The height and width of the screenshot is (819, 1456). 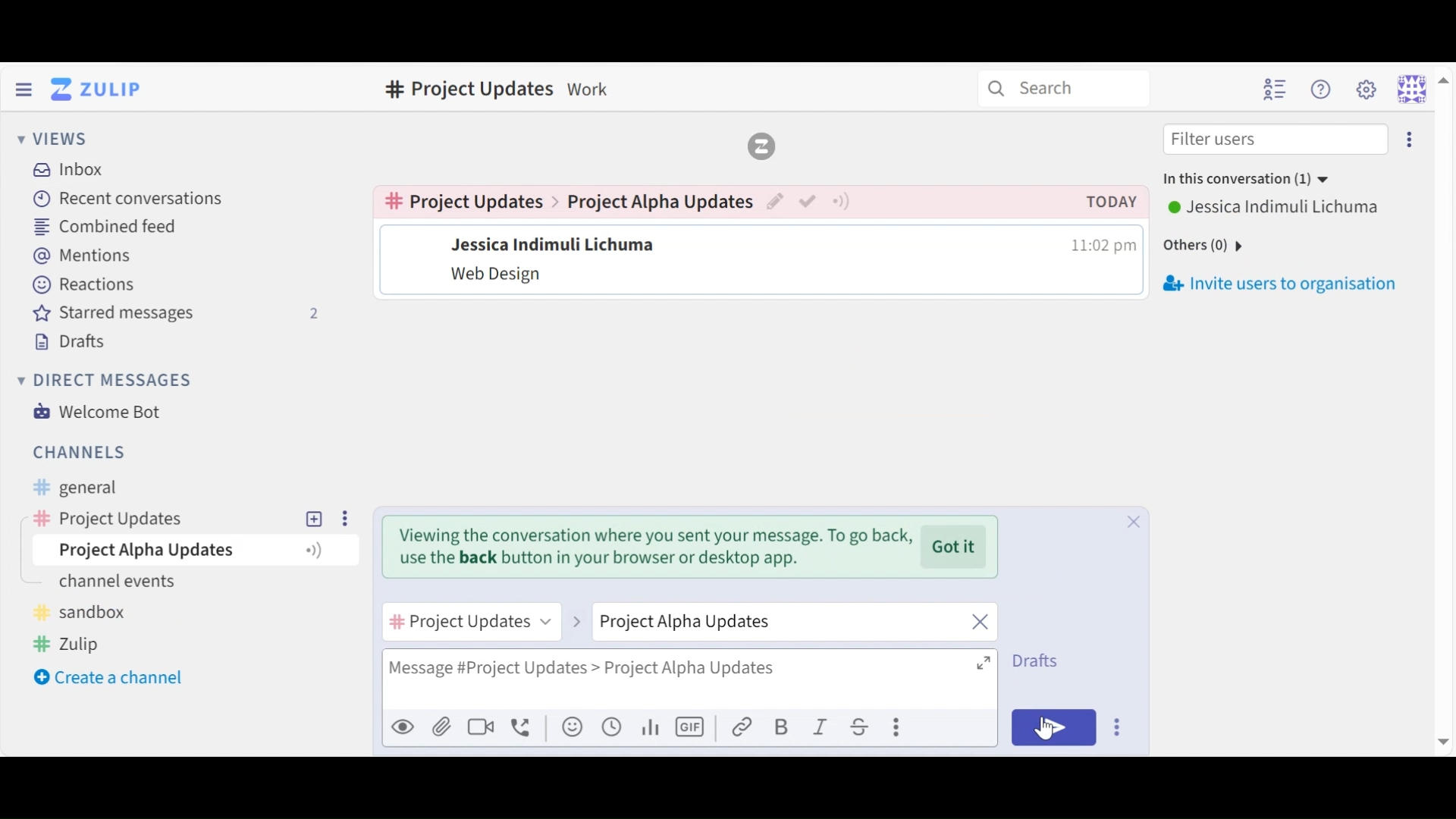 What do you see at coordinates (1040, 661) in the screenshot?
I see `Drafts` at bounding box center [1040, 661].